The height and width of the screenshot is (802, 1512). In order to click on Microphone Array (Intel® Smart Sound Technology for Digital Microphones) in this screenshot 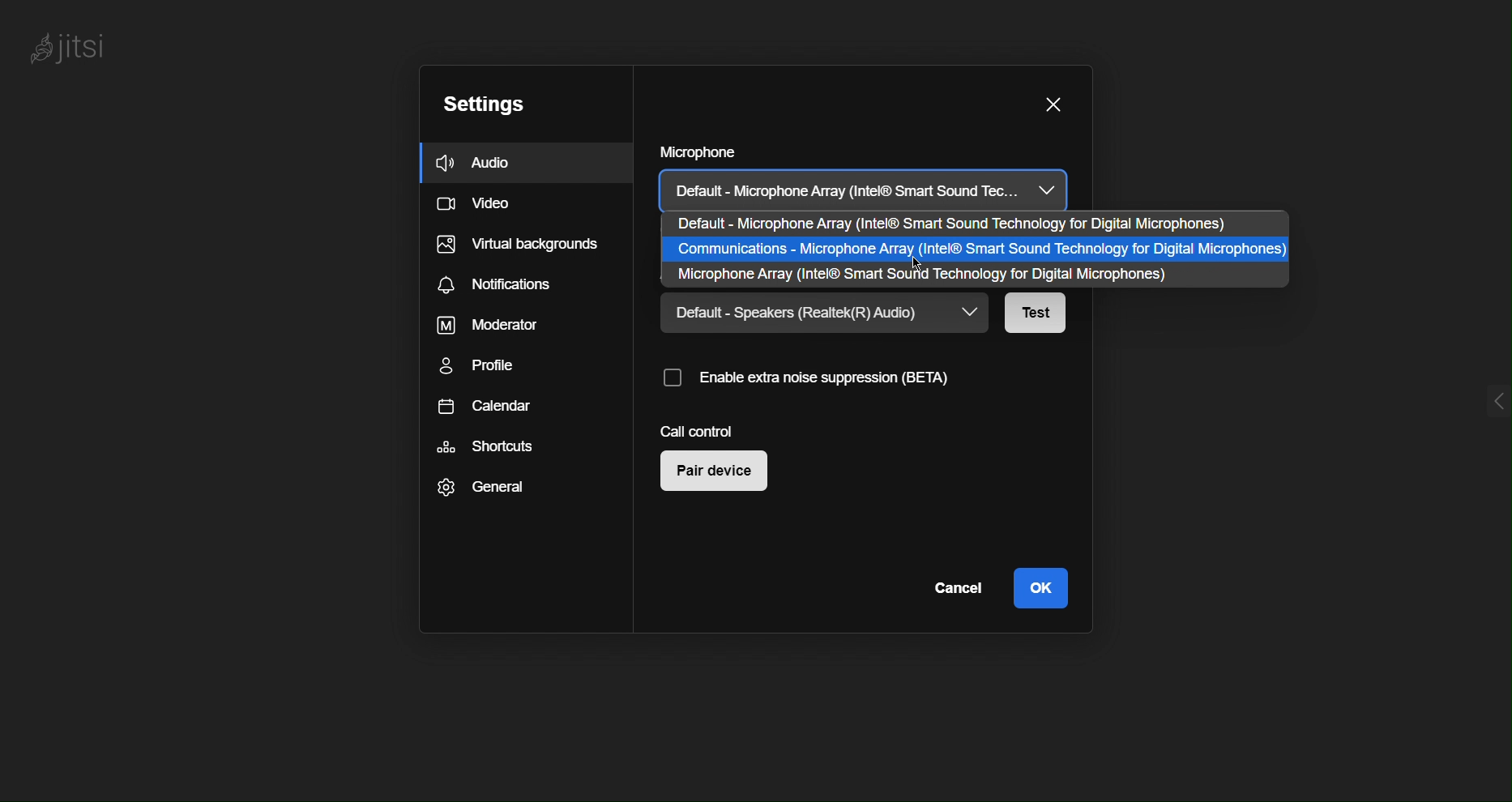, I will do `click(947, 274)`.